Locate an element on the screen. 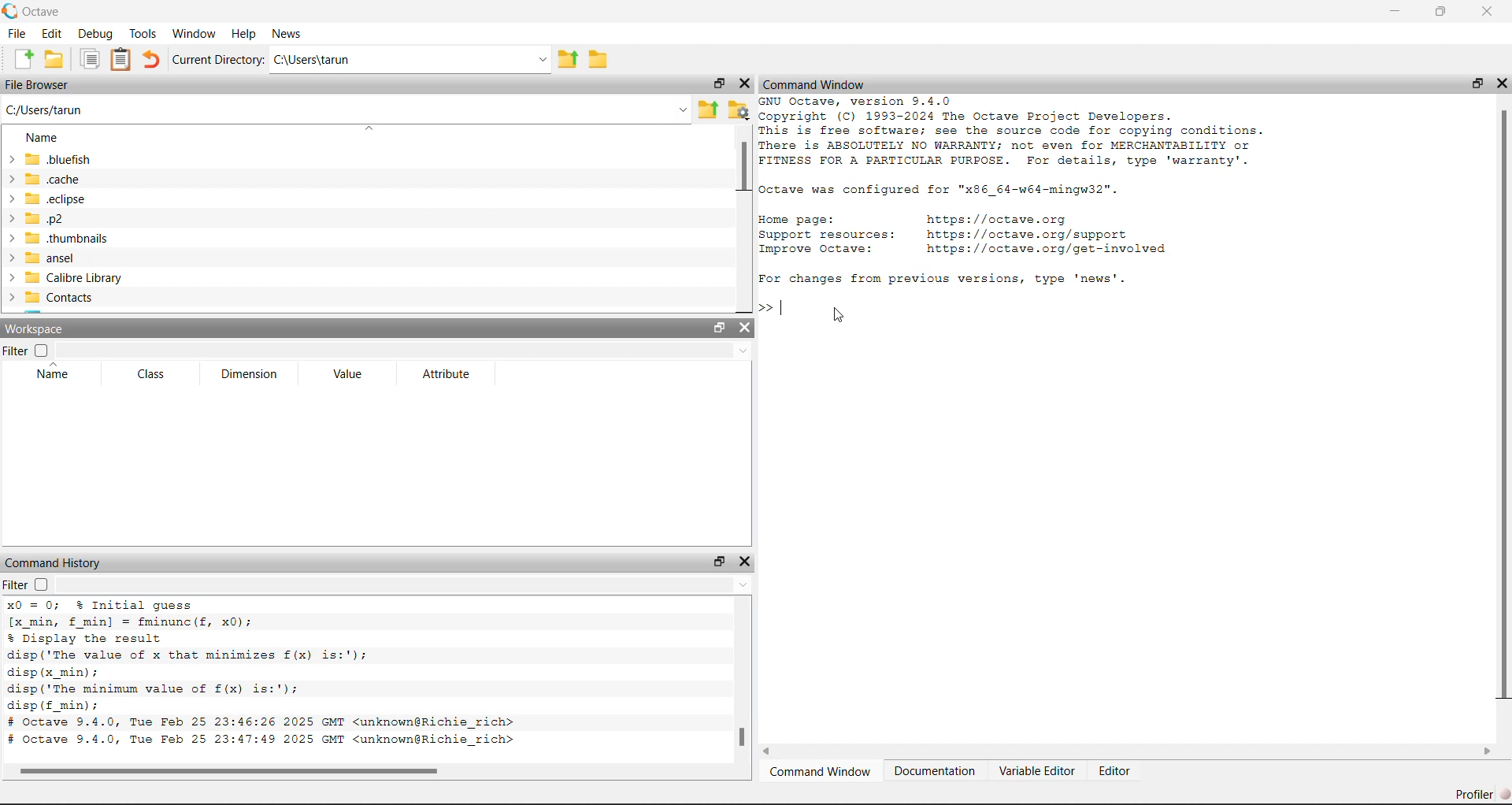 This screenshot has height=805, width=1512. Close is located at coordinates (748, 328).